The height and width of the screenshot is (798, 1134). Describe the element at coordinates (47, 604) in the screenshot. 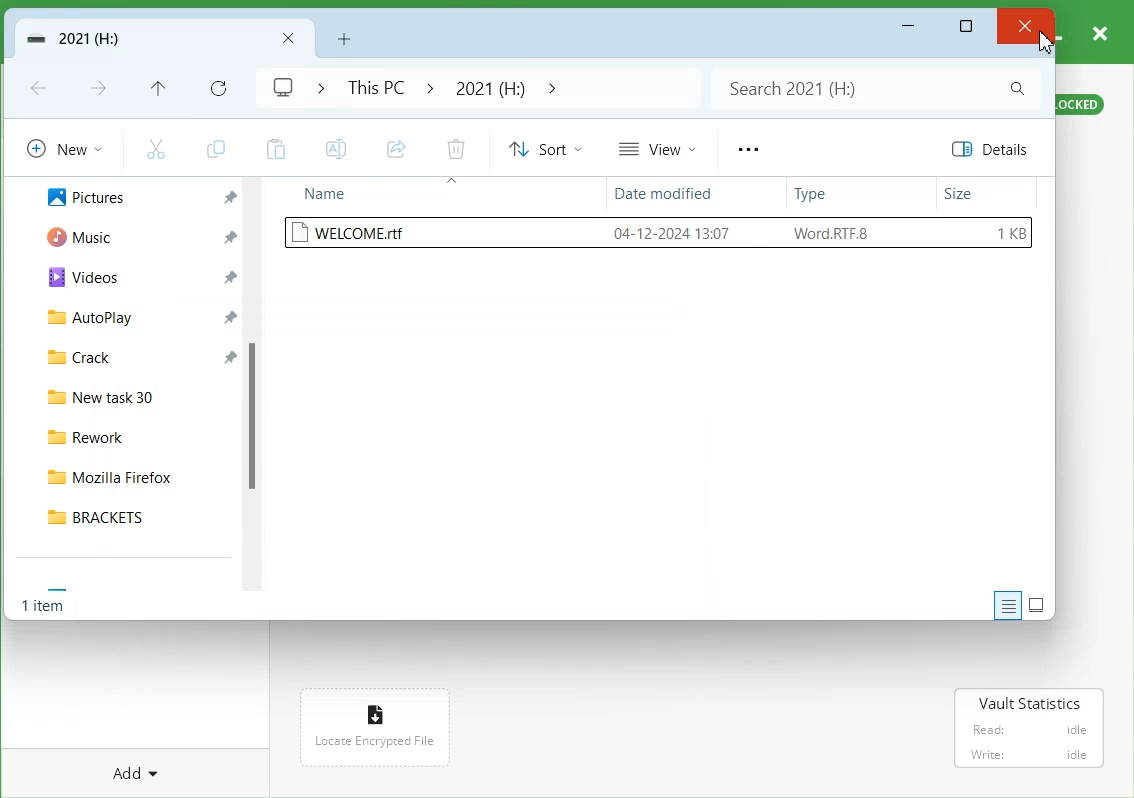

I see `Text` at that location.